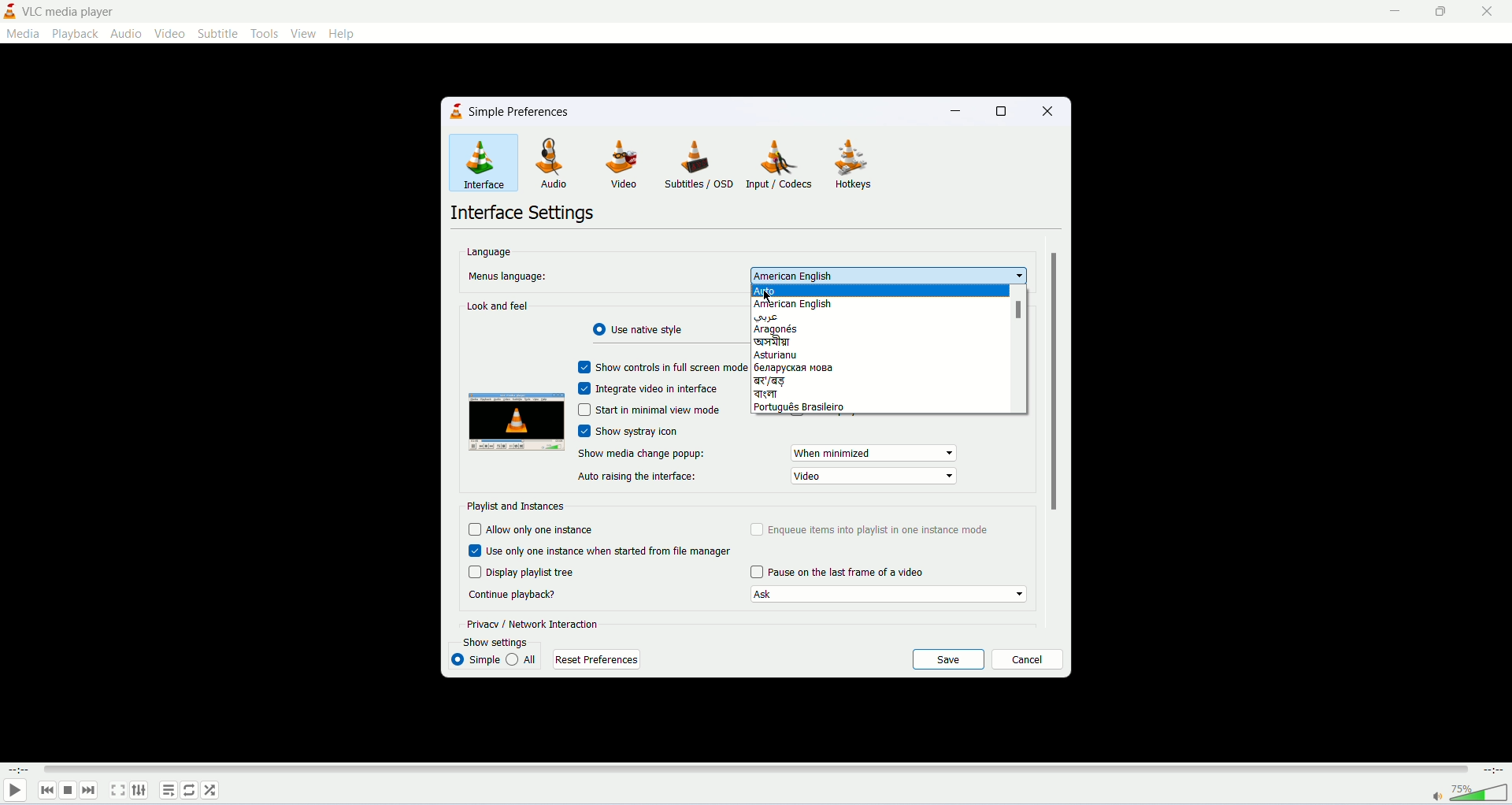  Describe the element at coordinates (498, 306) in the screenshot. I see `look and feel` at that location.